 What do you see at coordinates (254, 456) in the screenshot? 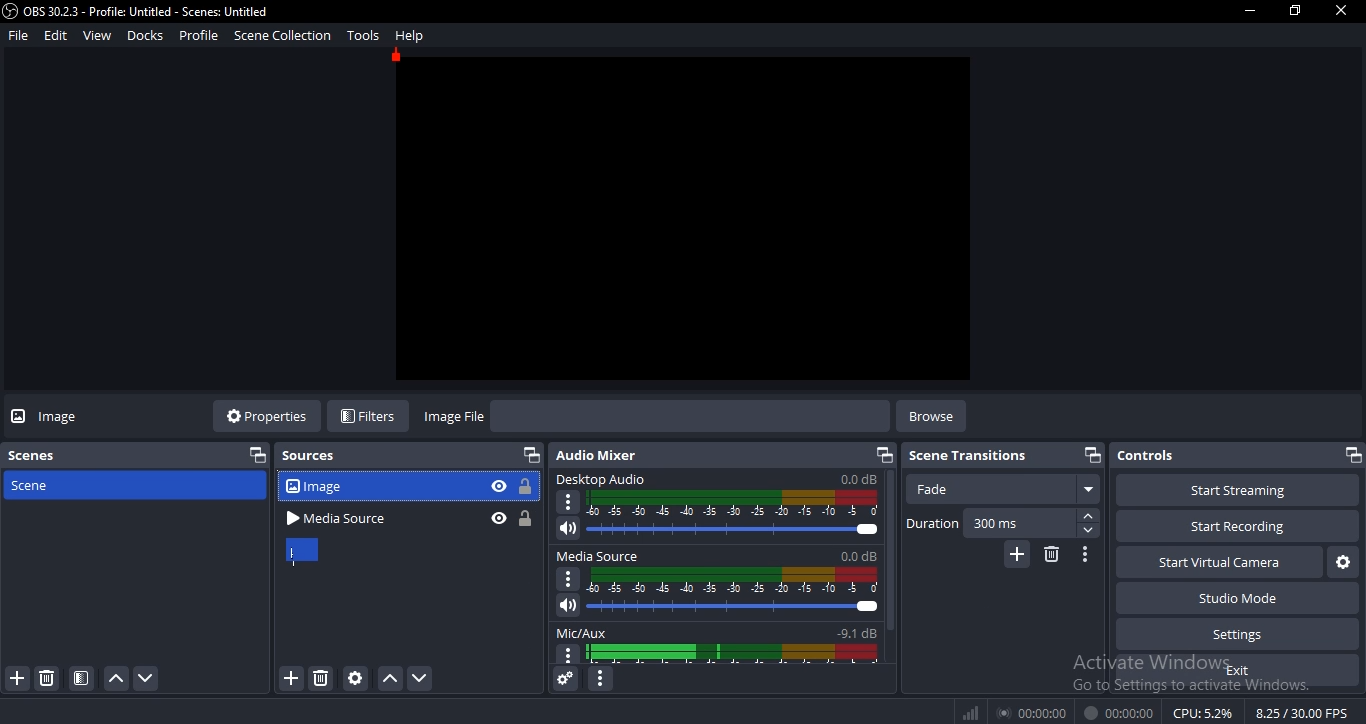
I see `restore` at bounding box center [254, 456].